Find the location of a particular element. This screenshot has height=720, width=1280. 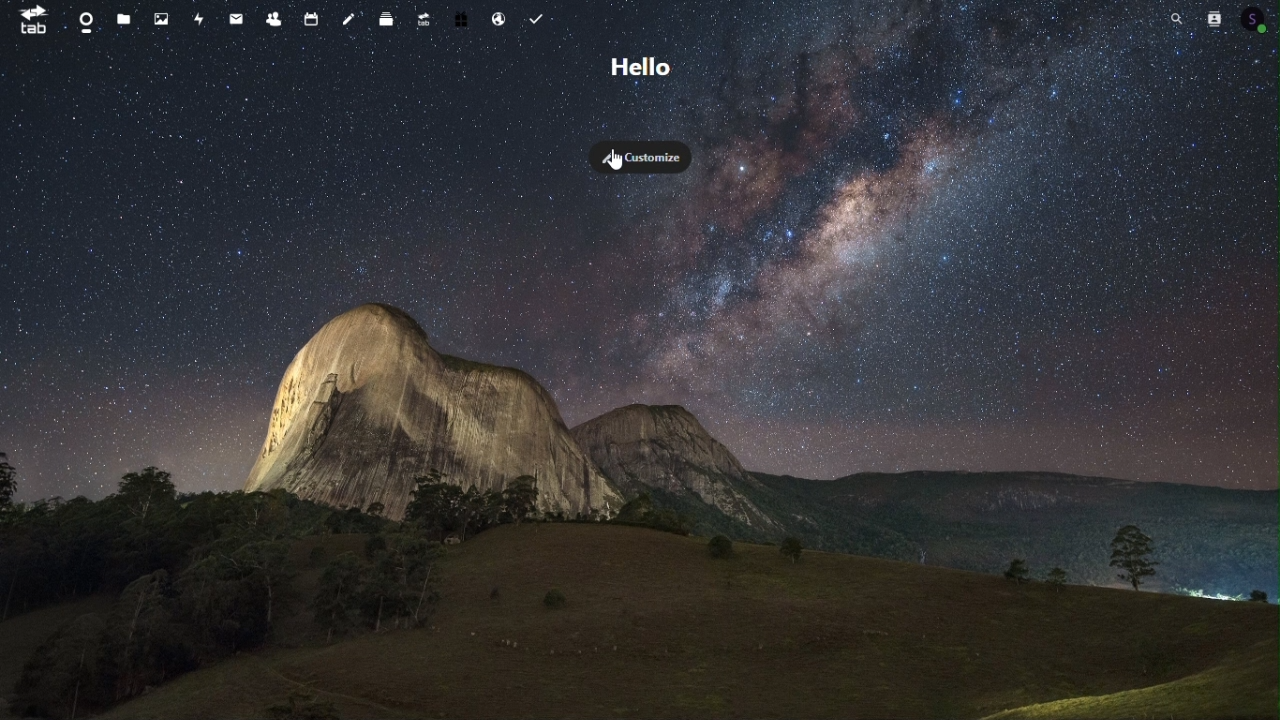

Photos is located at coordinates (162, 16).